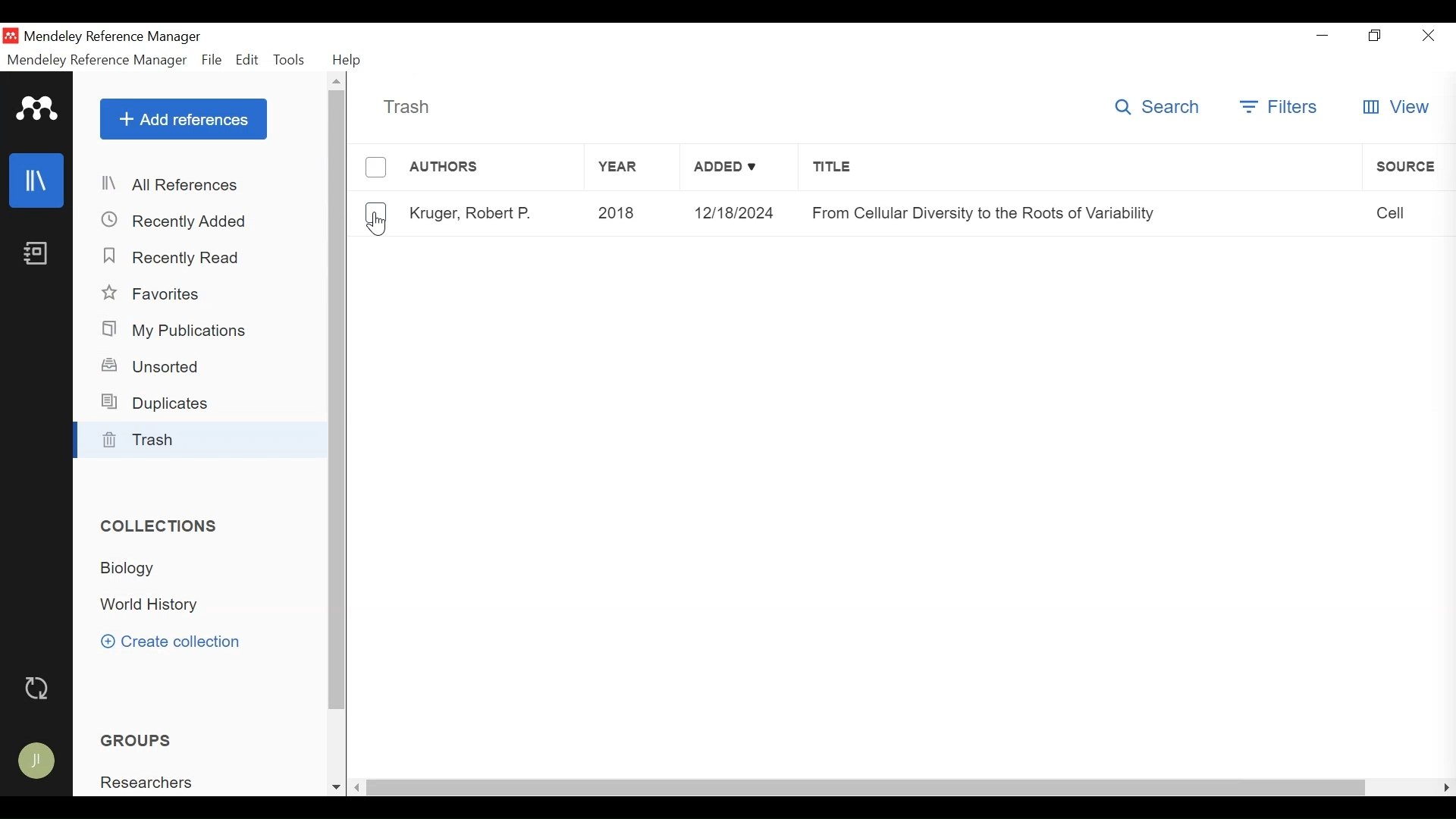 This screenshot has width=1456, height=819. What do you see at coordinates (377, 225) in the screenshot?
I see `Cursor` at bounding box center [377, 225].